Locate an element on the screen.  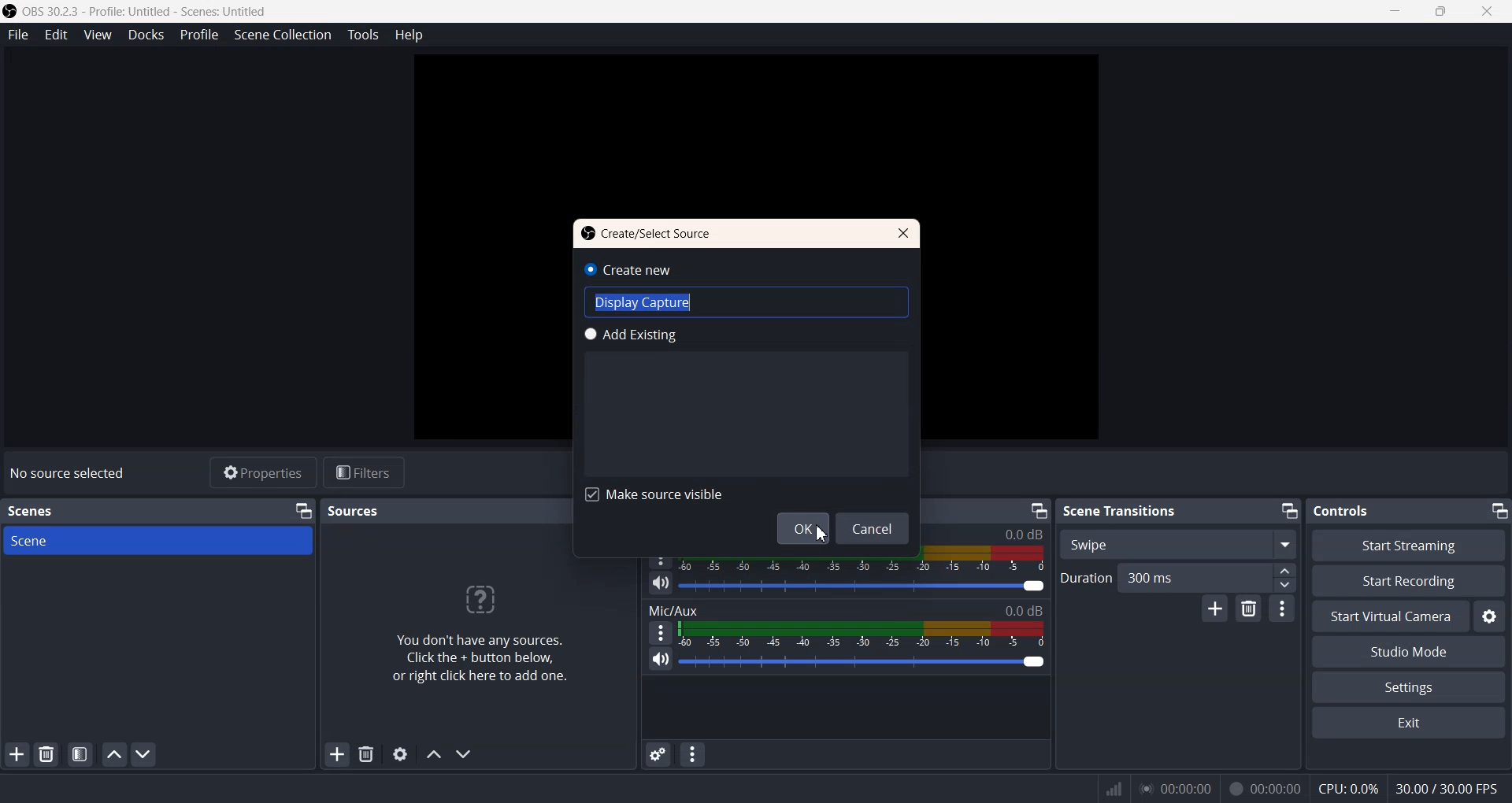
CPU: 0.3% is located at coordinates (1348, 787).